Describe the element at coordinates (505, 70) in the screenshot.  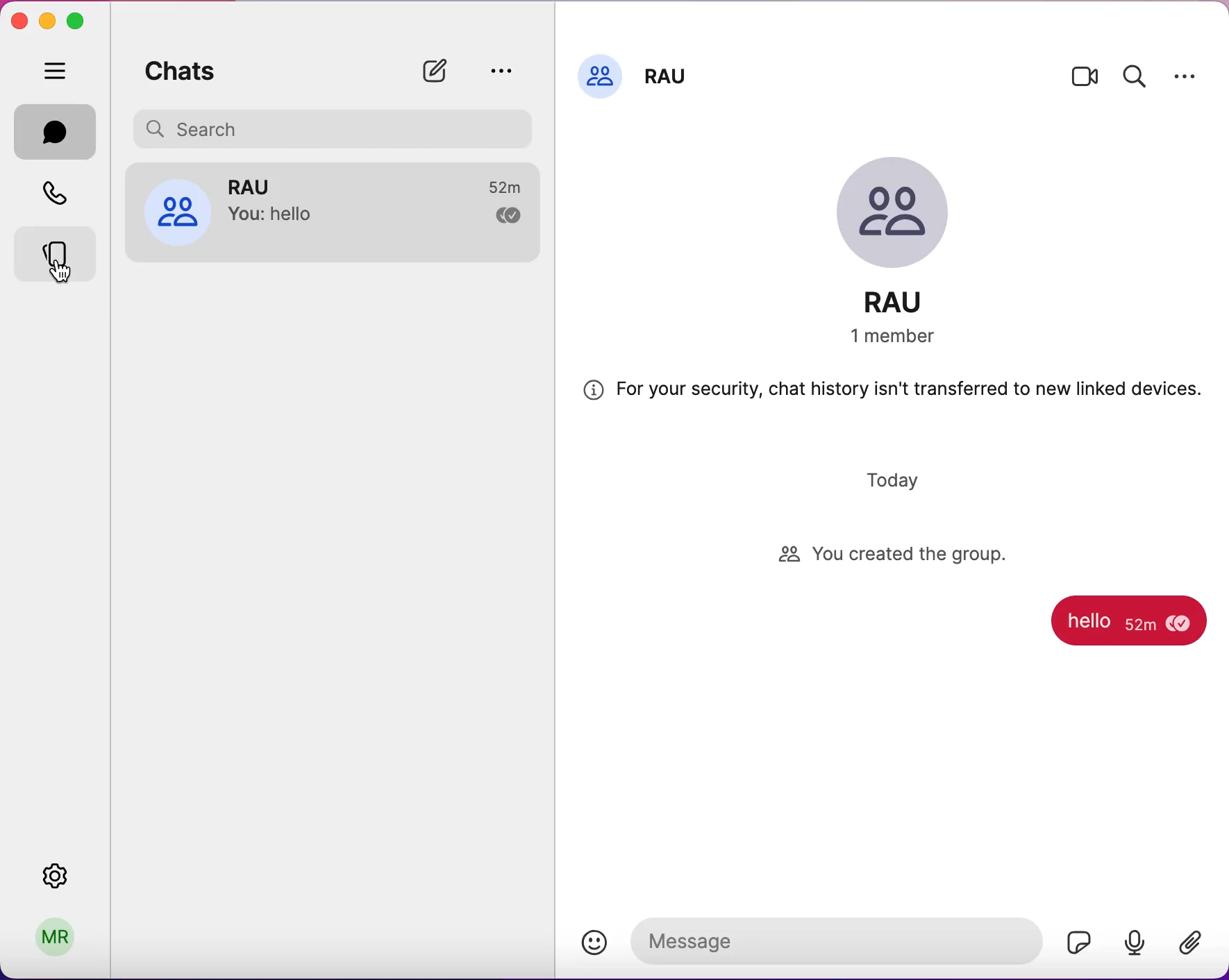
I see `view archive` at that location.